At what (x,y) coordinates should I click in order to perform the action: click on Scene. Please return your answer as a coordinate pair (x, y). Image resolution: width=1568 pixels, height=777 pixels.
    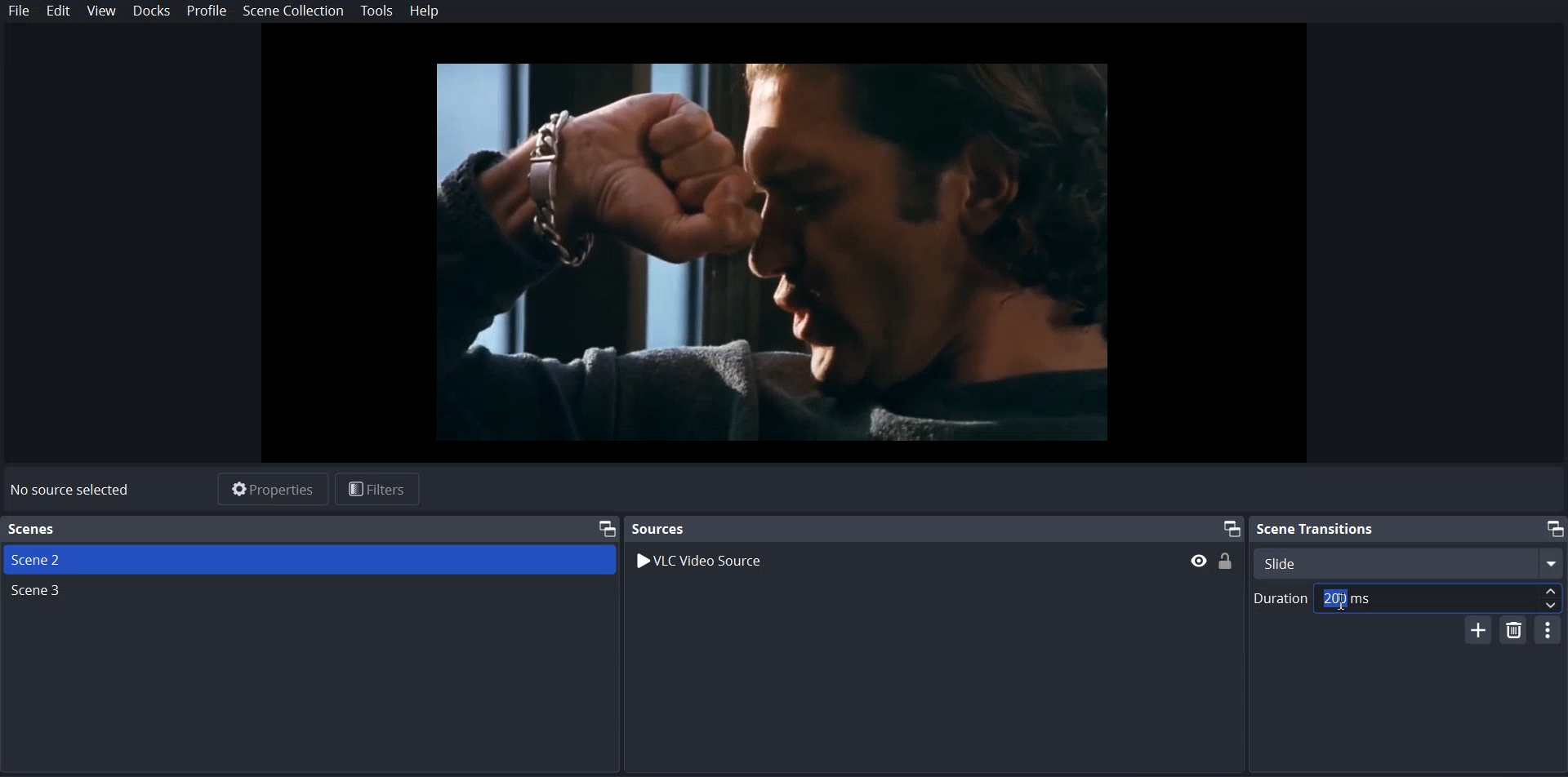
    Looking at the image, I should click on (309, 559).